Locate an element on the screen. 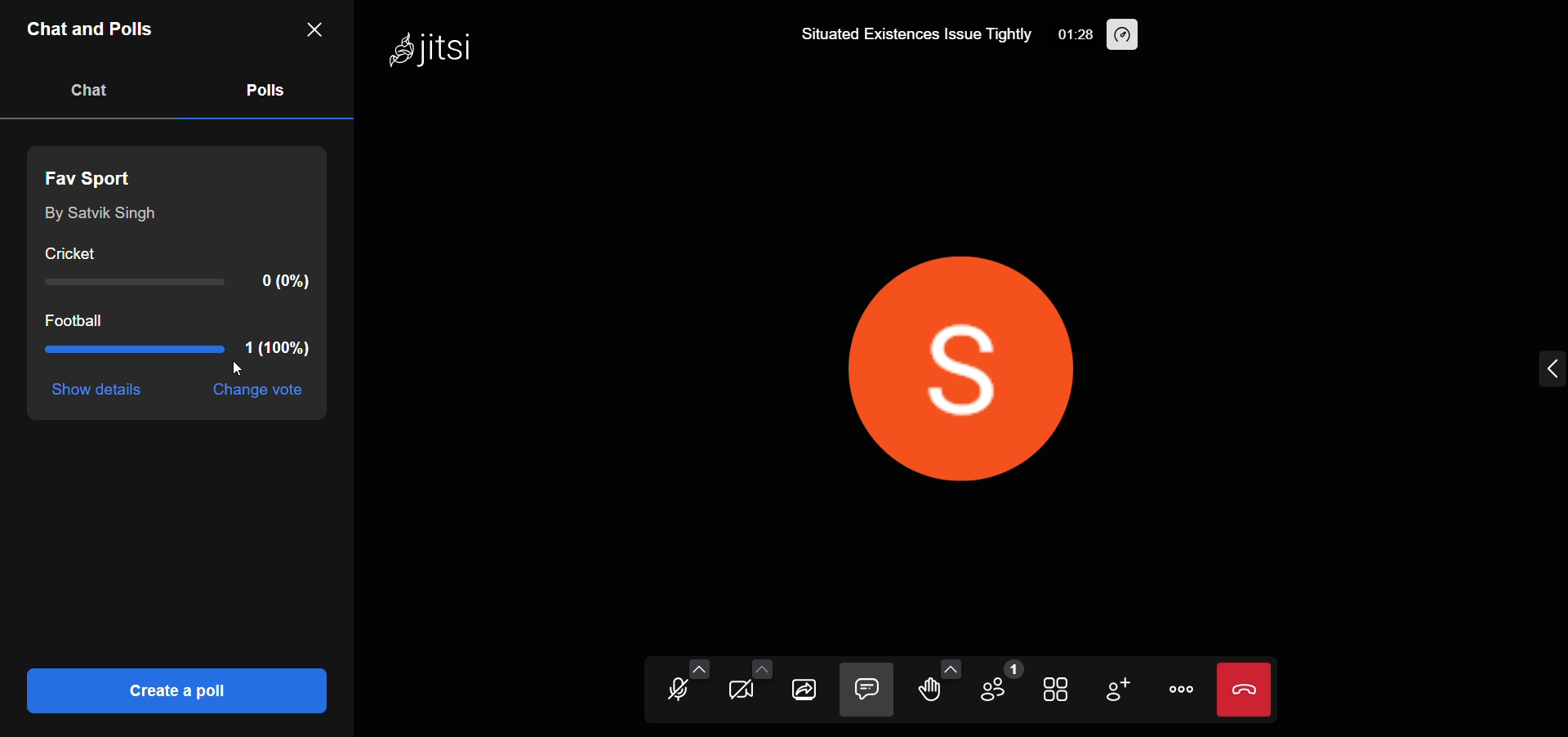 This screenshot has height=737, width=1568. option 1 result is located at coordinates (180, 284).